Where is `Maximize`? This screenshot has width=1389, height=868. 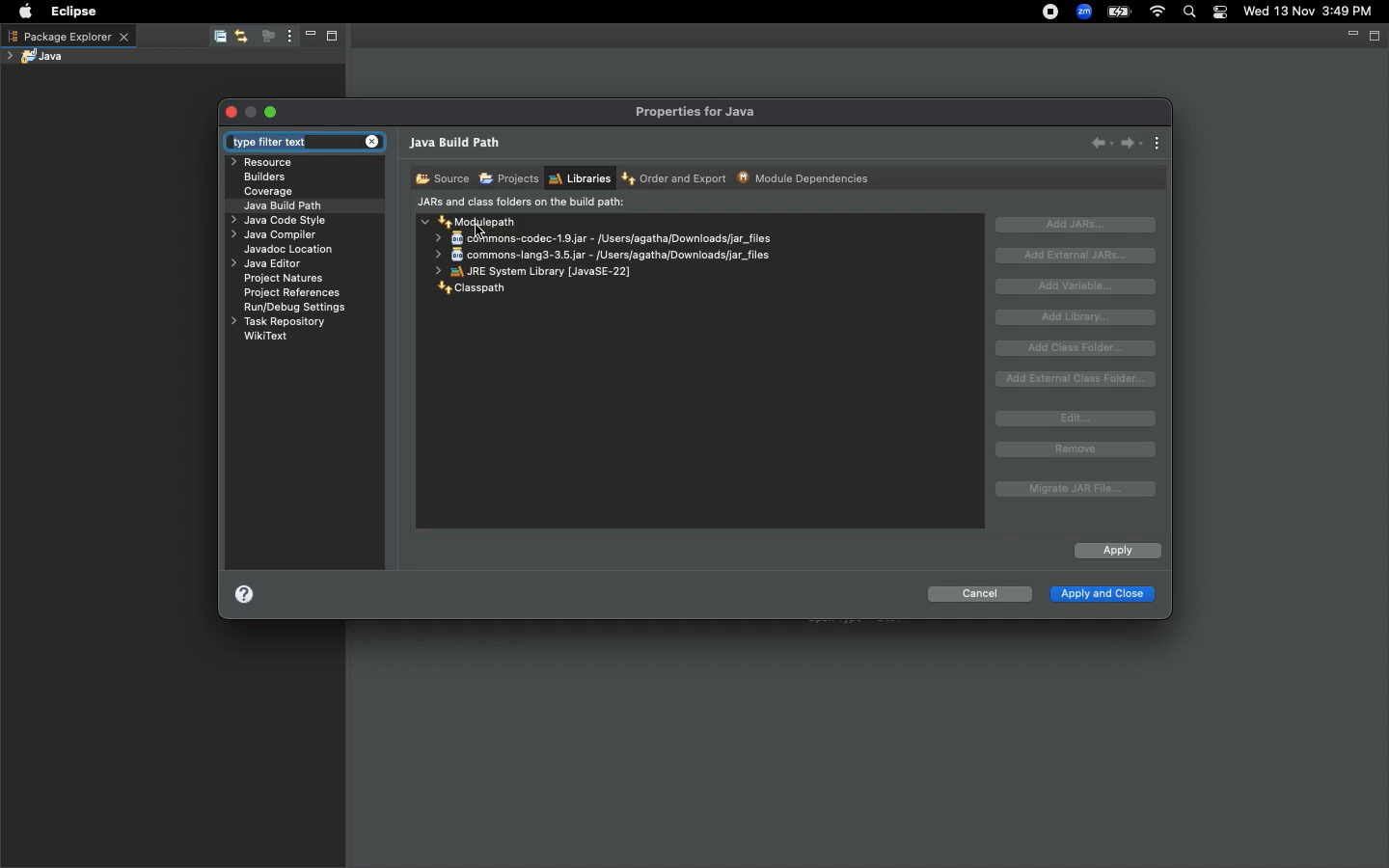 Maximize is located at coordinates (273, 112).